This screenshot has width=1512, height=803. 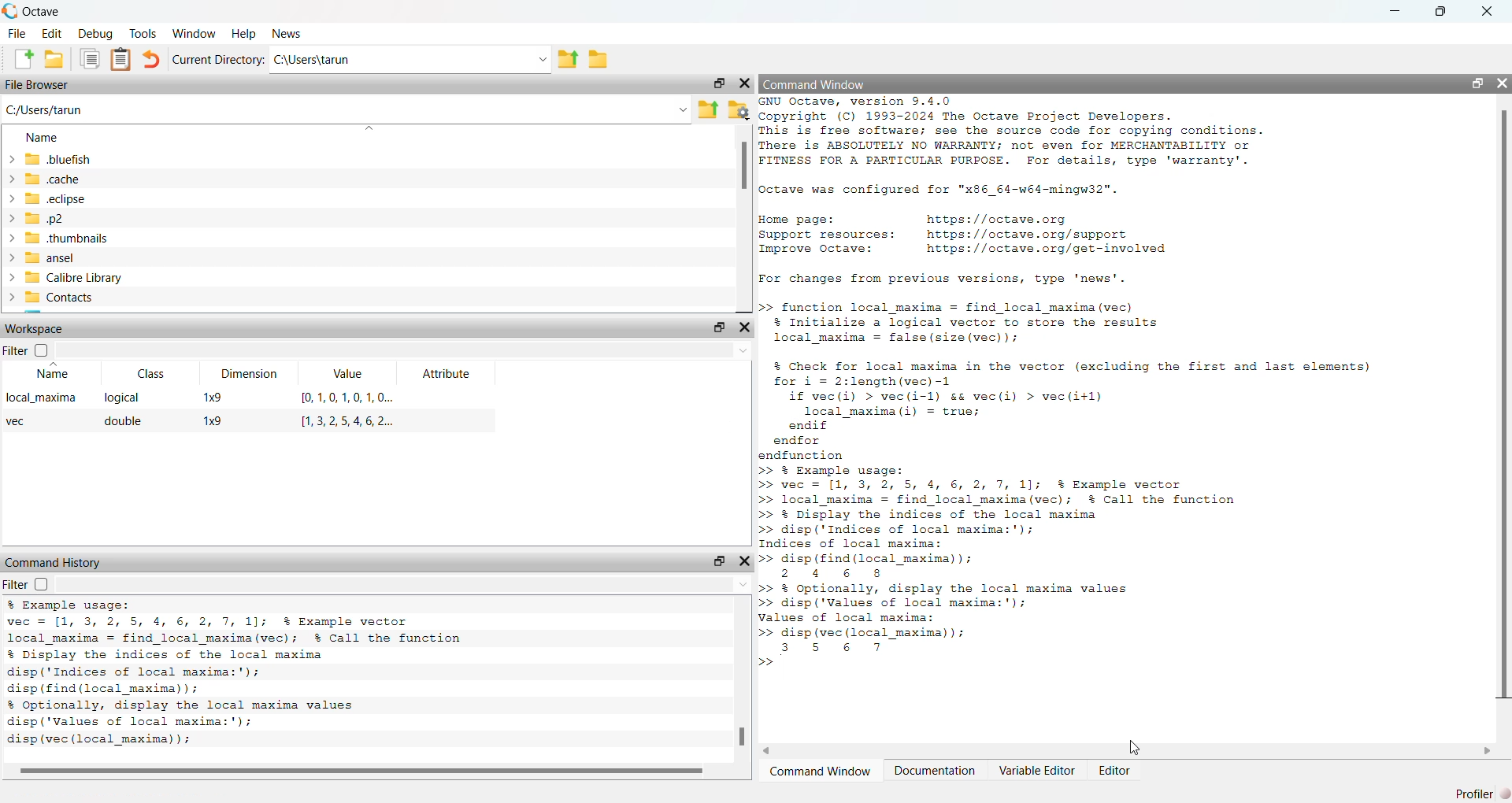 What do you see at coordinates (37, 84) in the screenshot?
I see `File Browser` at bounding box center [37, 84].